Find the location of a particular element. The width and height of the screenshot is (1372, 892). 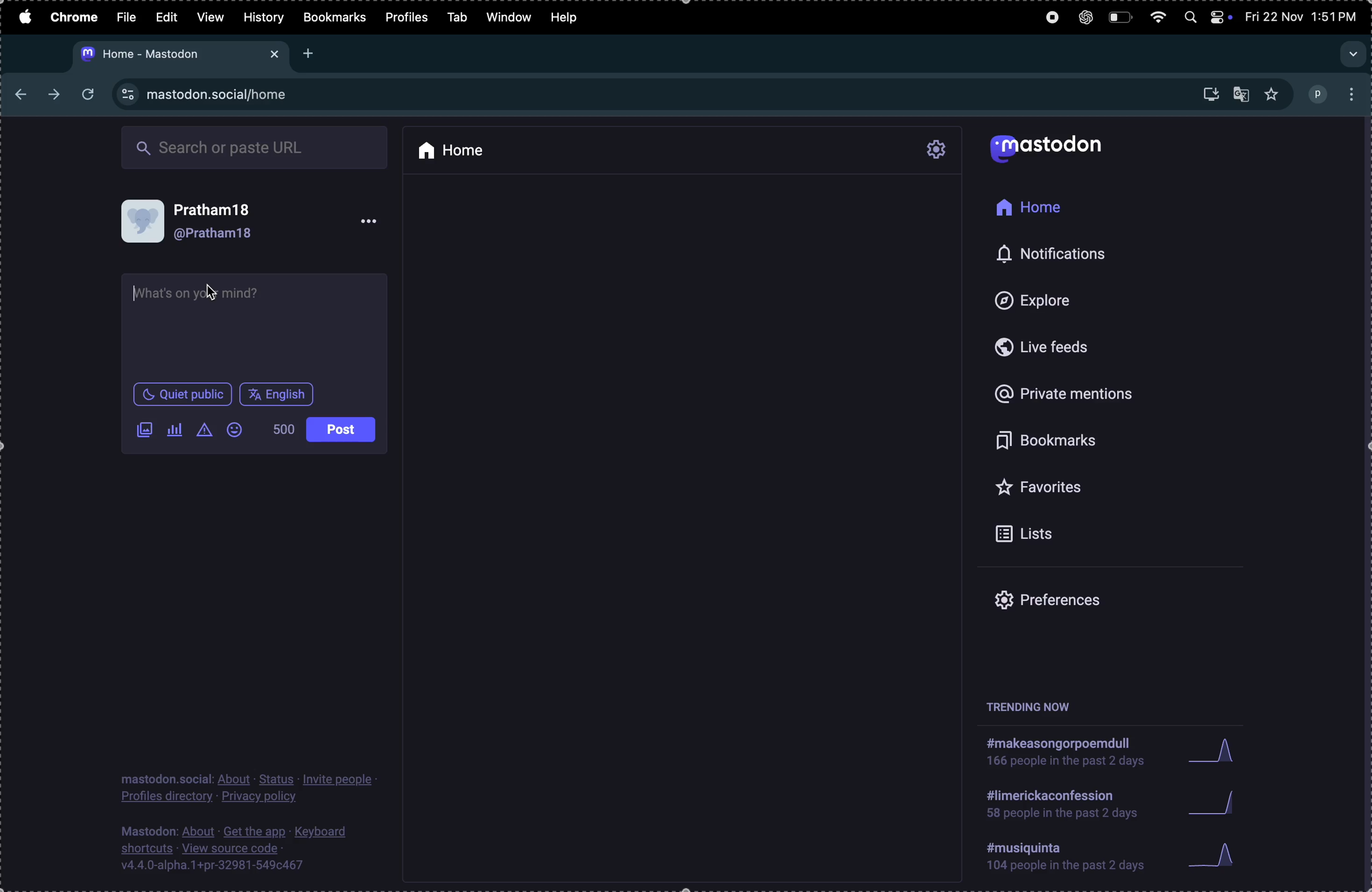

chatgpt is located at coordinates (1083, 17).